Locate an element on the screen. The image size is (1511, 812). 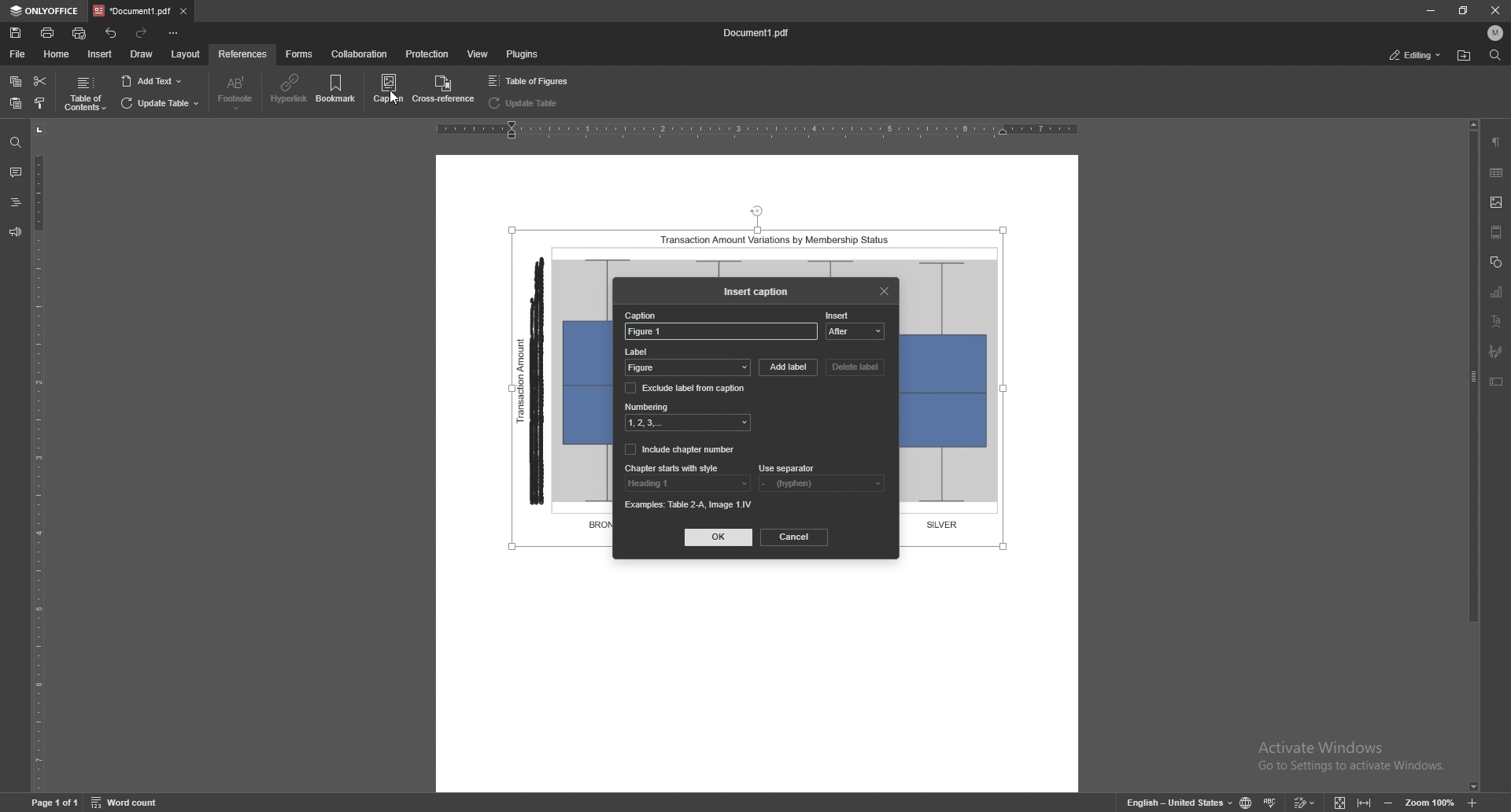
paste is located at coordinates (16, 104).